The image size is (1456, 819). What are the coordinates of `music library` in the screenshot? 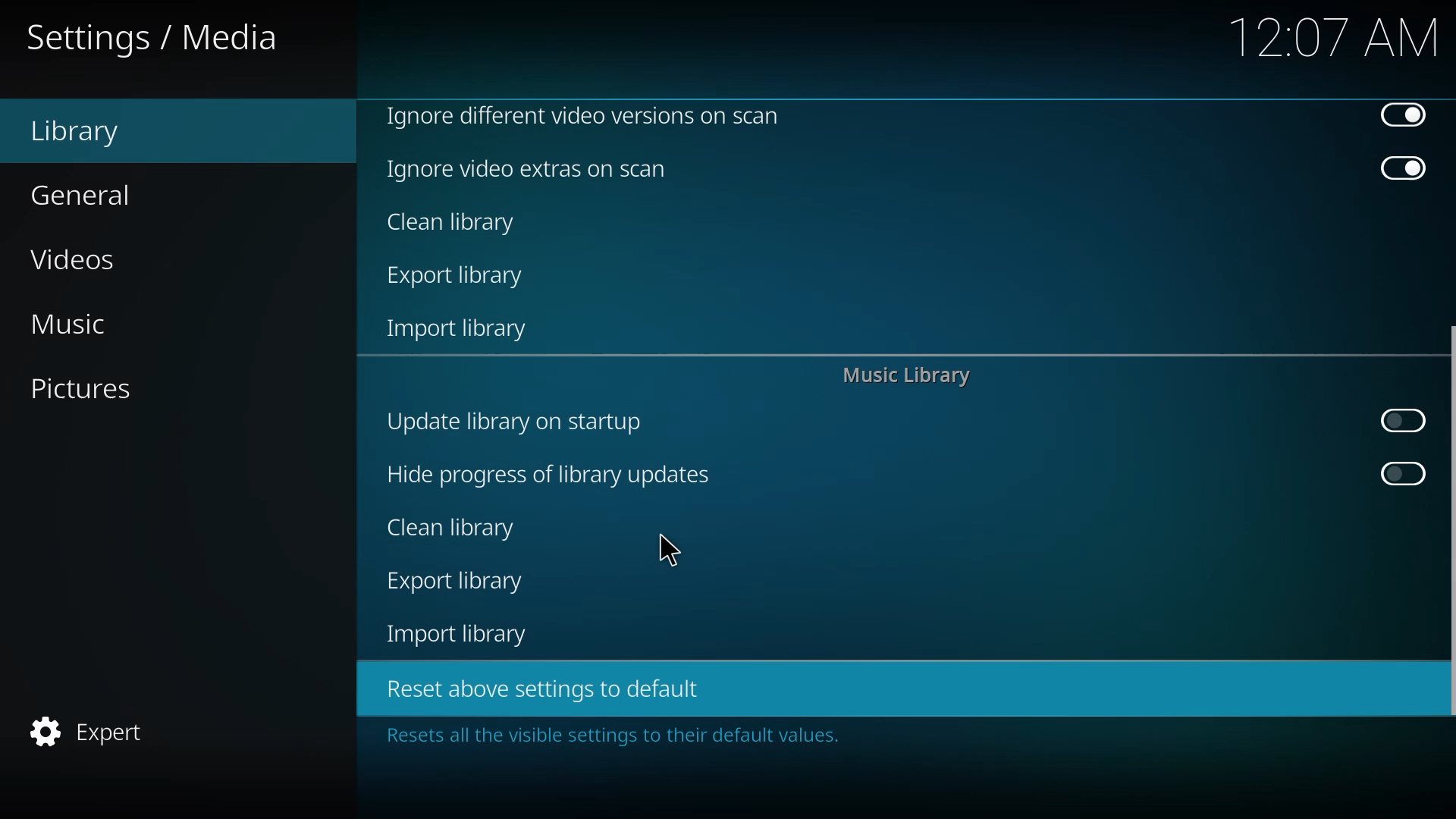 It's located at (904, 378).